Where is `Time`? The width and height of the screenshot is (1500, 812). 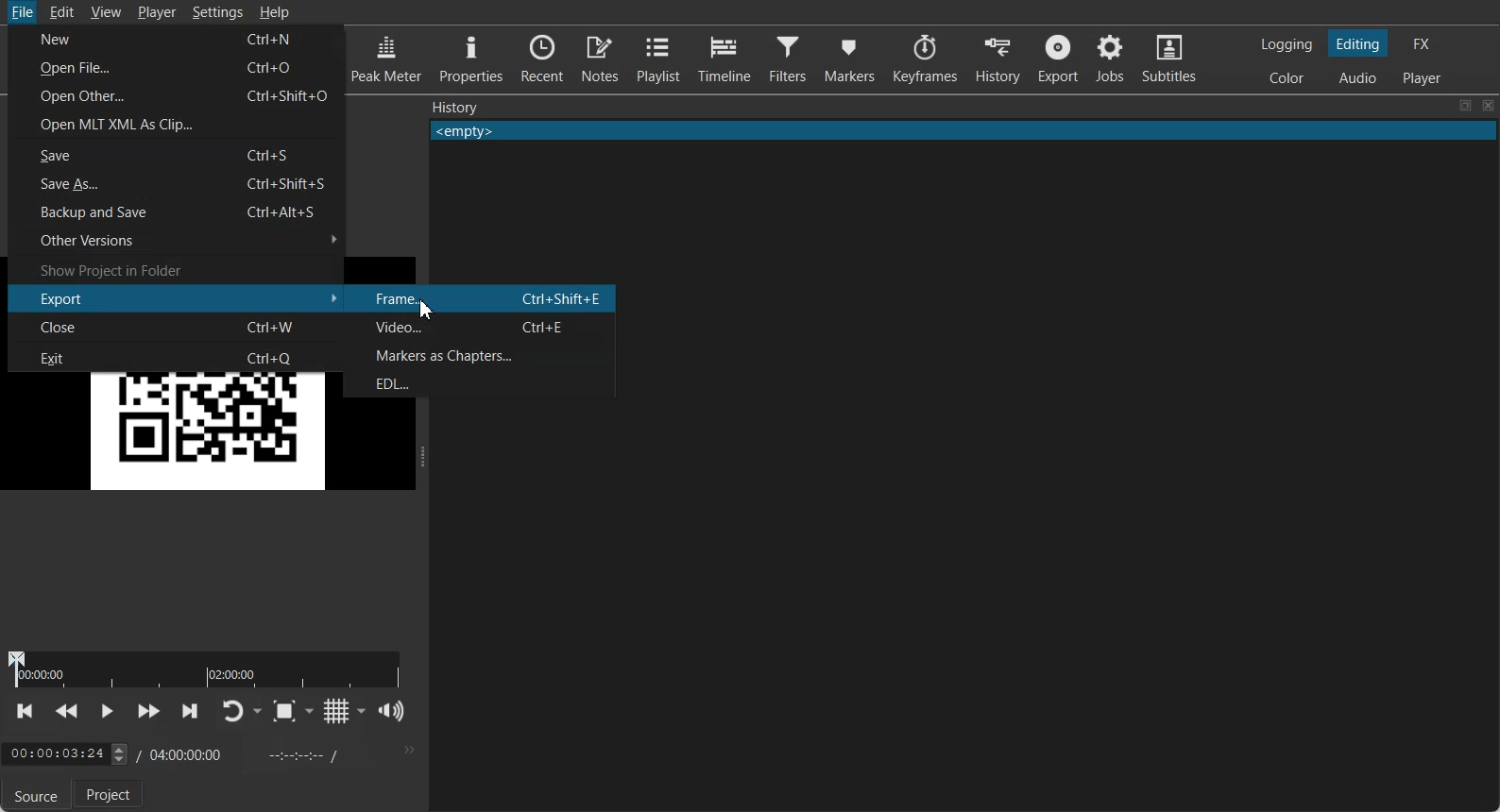
Time is located at coordinates (188, 753).